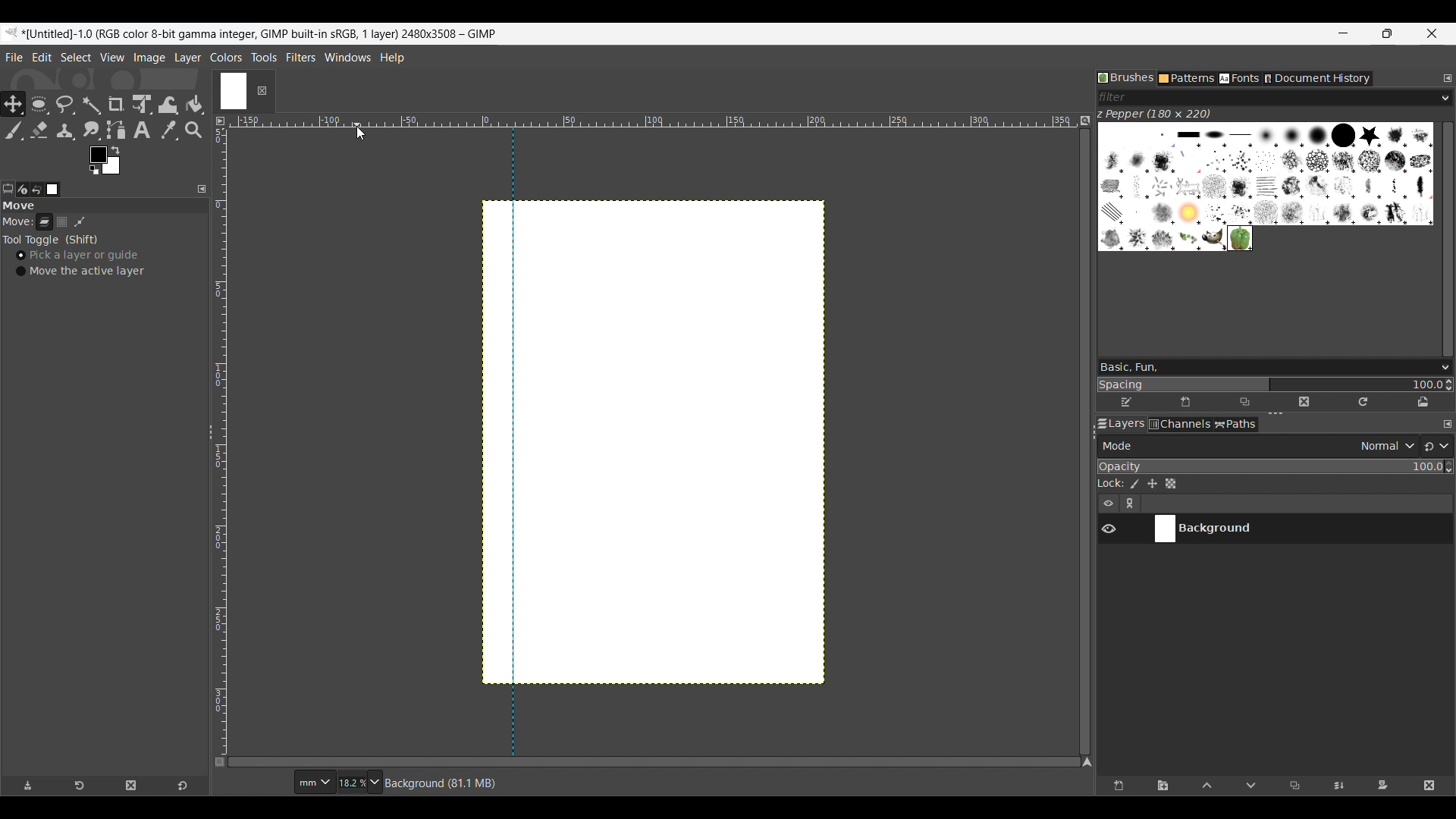  Describe the element at coordinates (1267, 98) in the screenshot. I see `Type in brush filter` at that location.